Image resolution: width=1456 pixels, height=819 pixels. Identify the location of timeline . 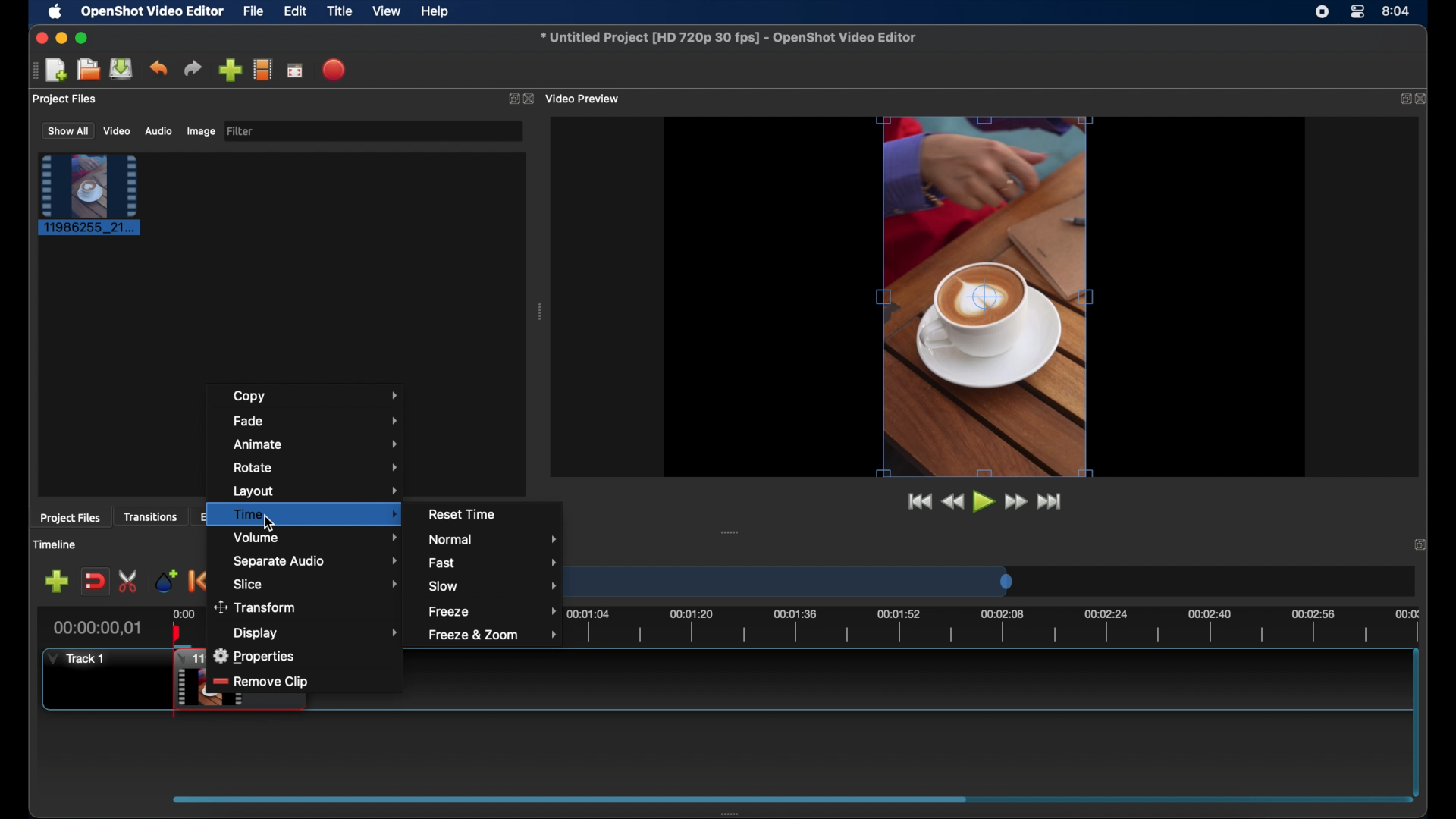
(999, 625).